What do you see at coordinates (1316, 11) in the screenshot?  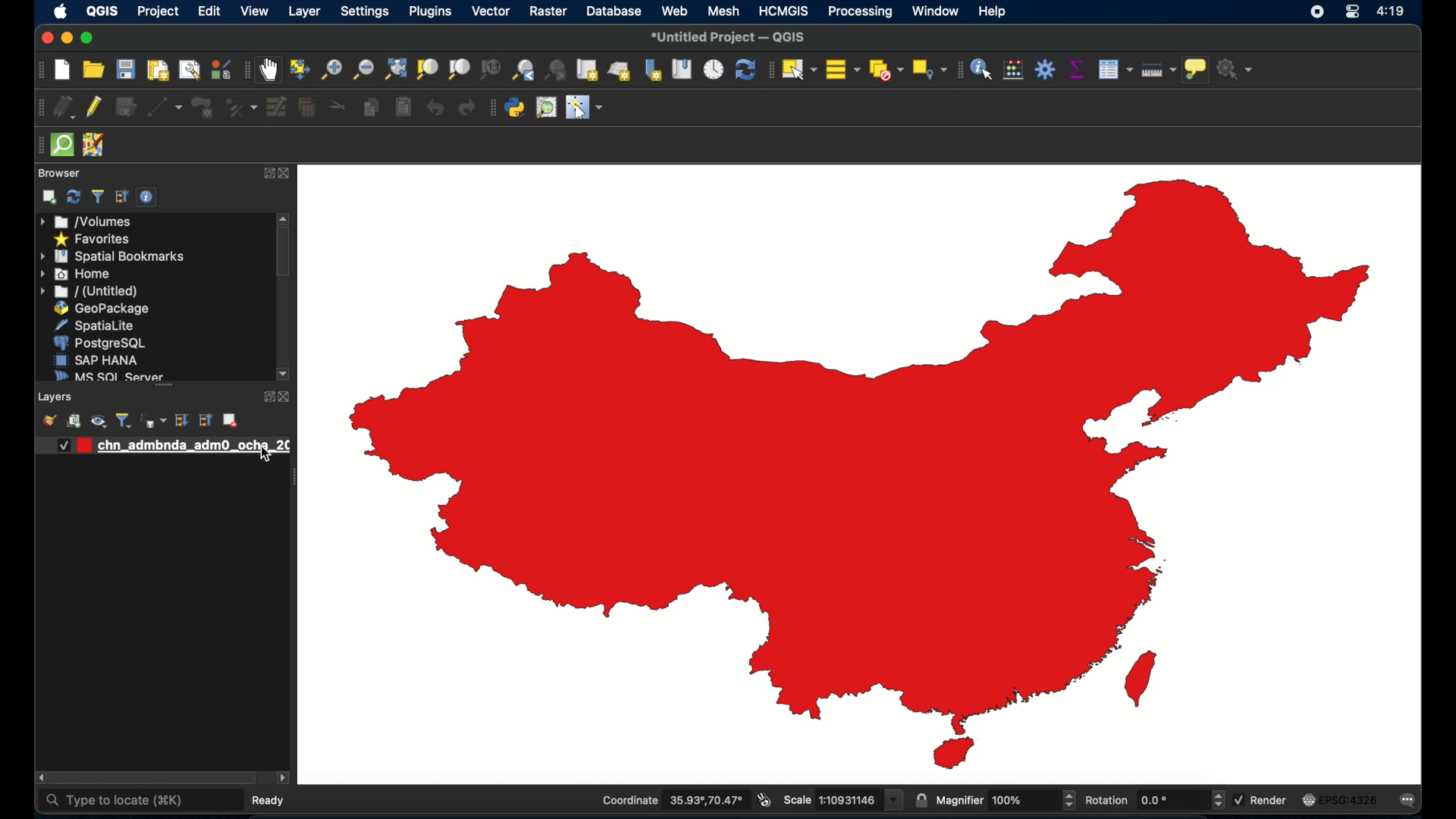 I see `screen recorder icon` at bounding box center [1316, 11].